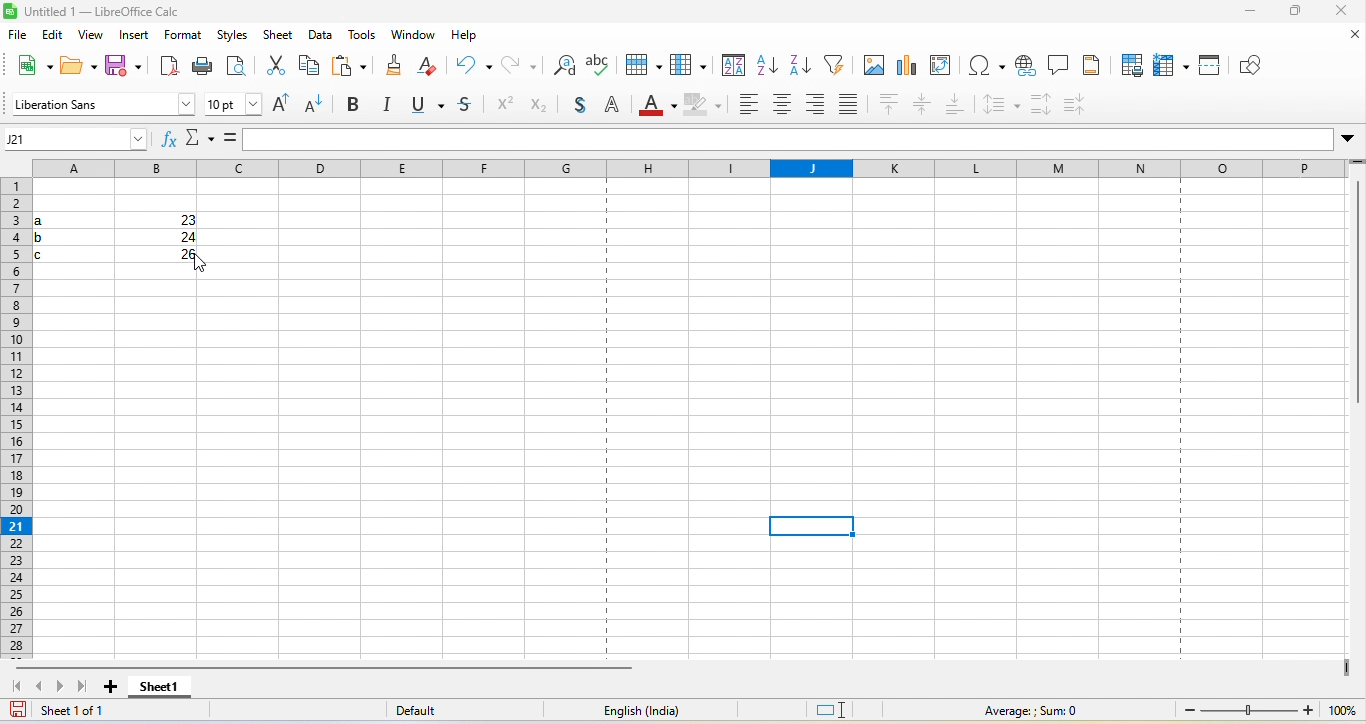 This screenshot has height=724, width=1366. Describe the element at coordinates (333, 670) in the screenshot. I see `horizontal scroll bar` at that location.